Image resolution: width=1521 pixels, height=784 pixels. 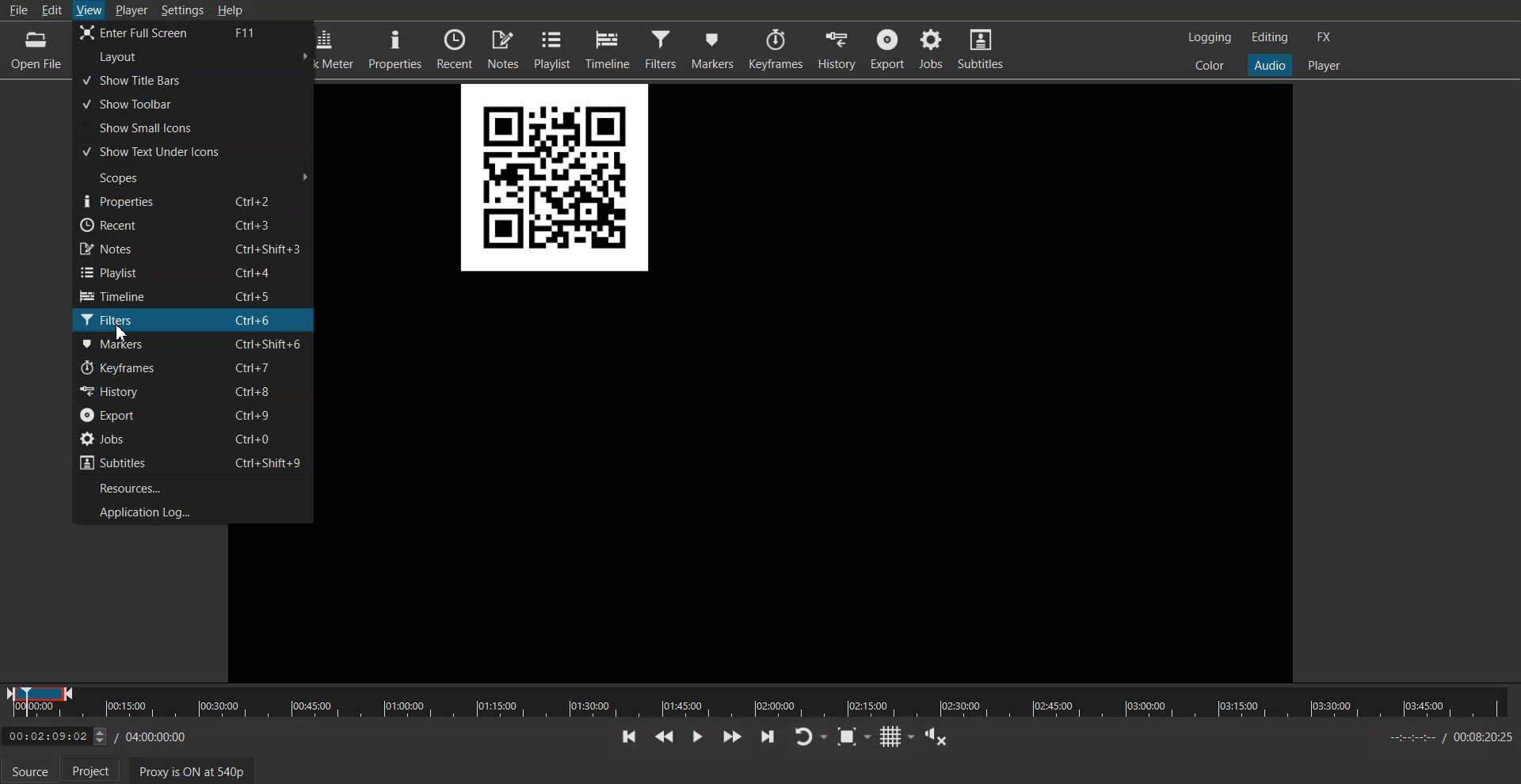 What do you see at coordinates (631, 736) in the screenshot?
I see `Skip to the previous point` at bounding box center [631, 736].